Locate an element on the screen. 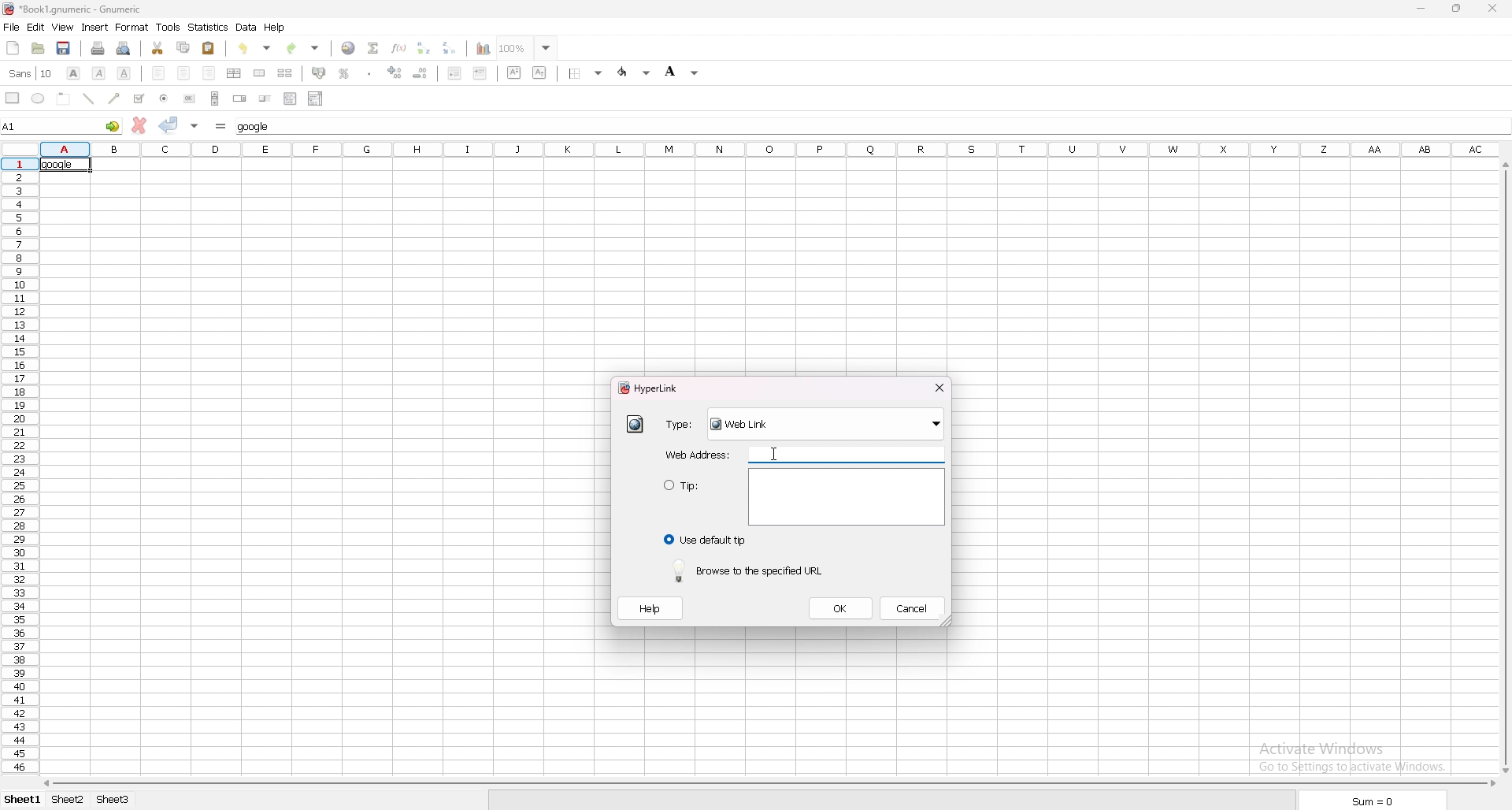 This screenshot has height=810, width=1512. weblink is located at coordinates (825, 423).